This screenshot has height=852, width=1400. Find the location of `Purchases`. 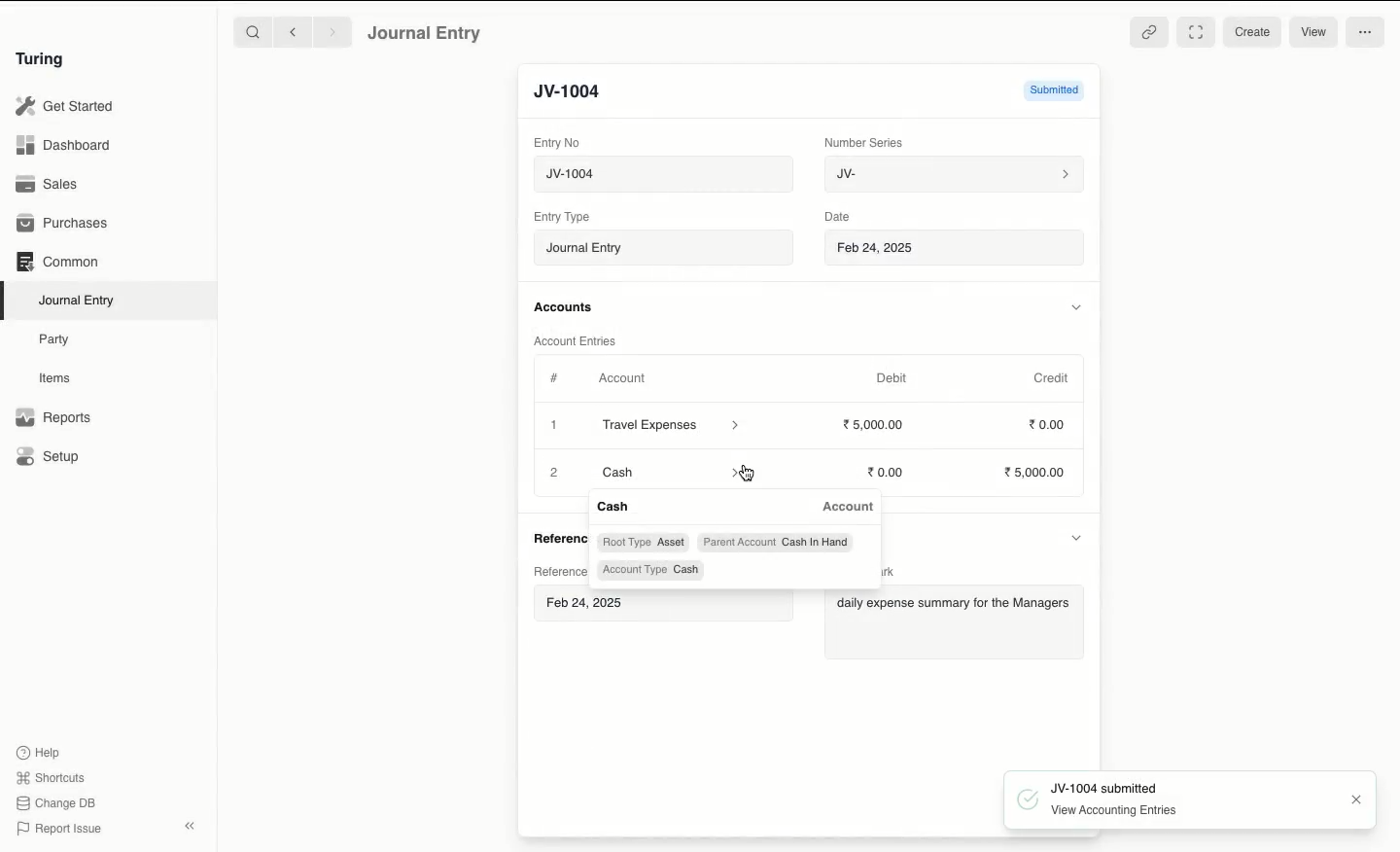

Purchases is located at coordinates (63, 225).